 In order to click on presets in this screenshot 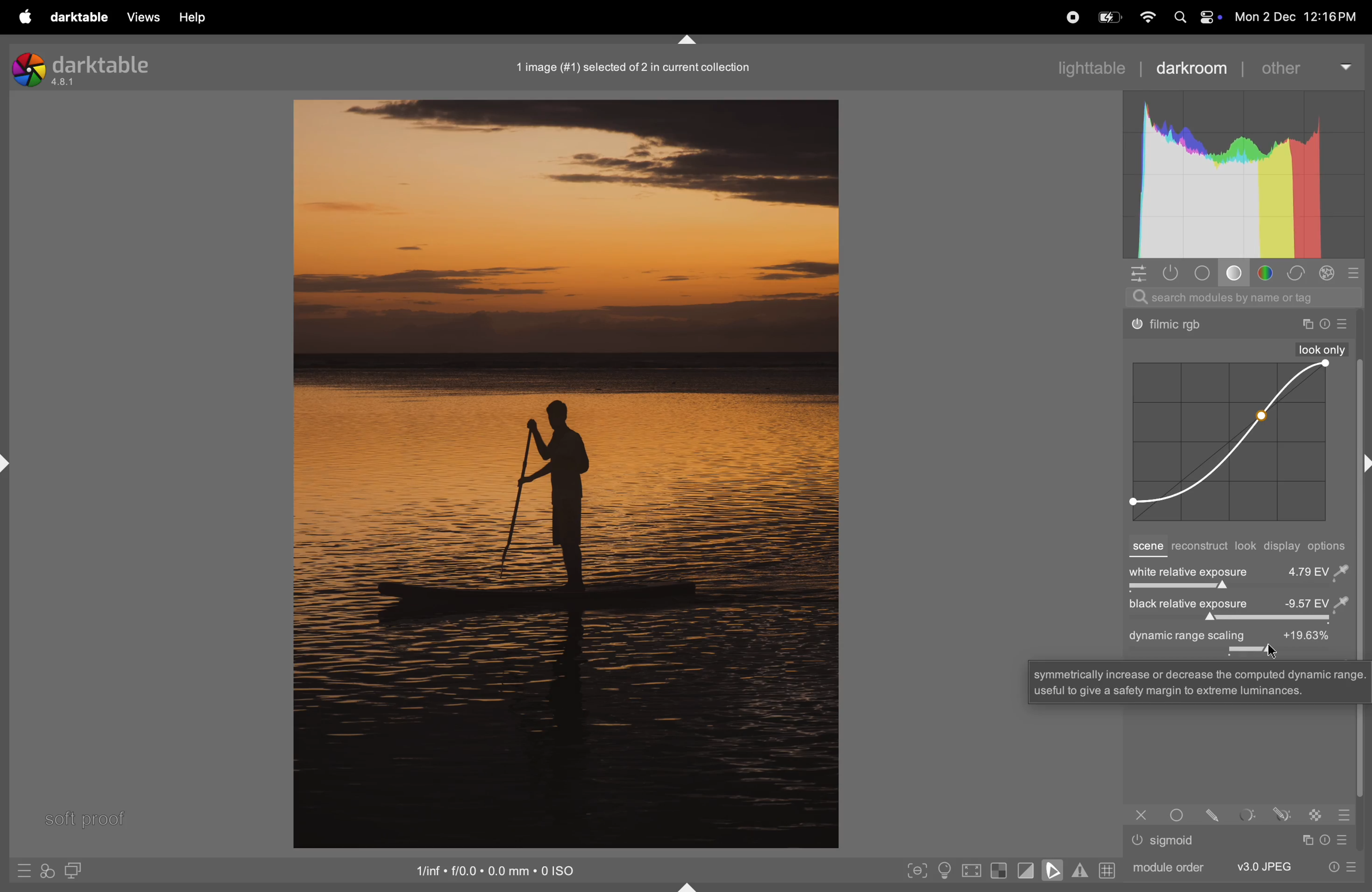, I will do `click(1355, 273)`.